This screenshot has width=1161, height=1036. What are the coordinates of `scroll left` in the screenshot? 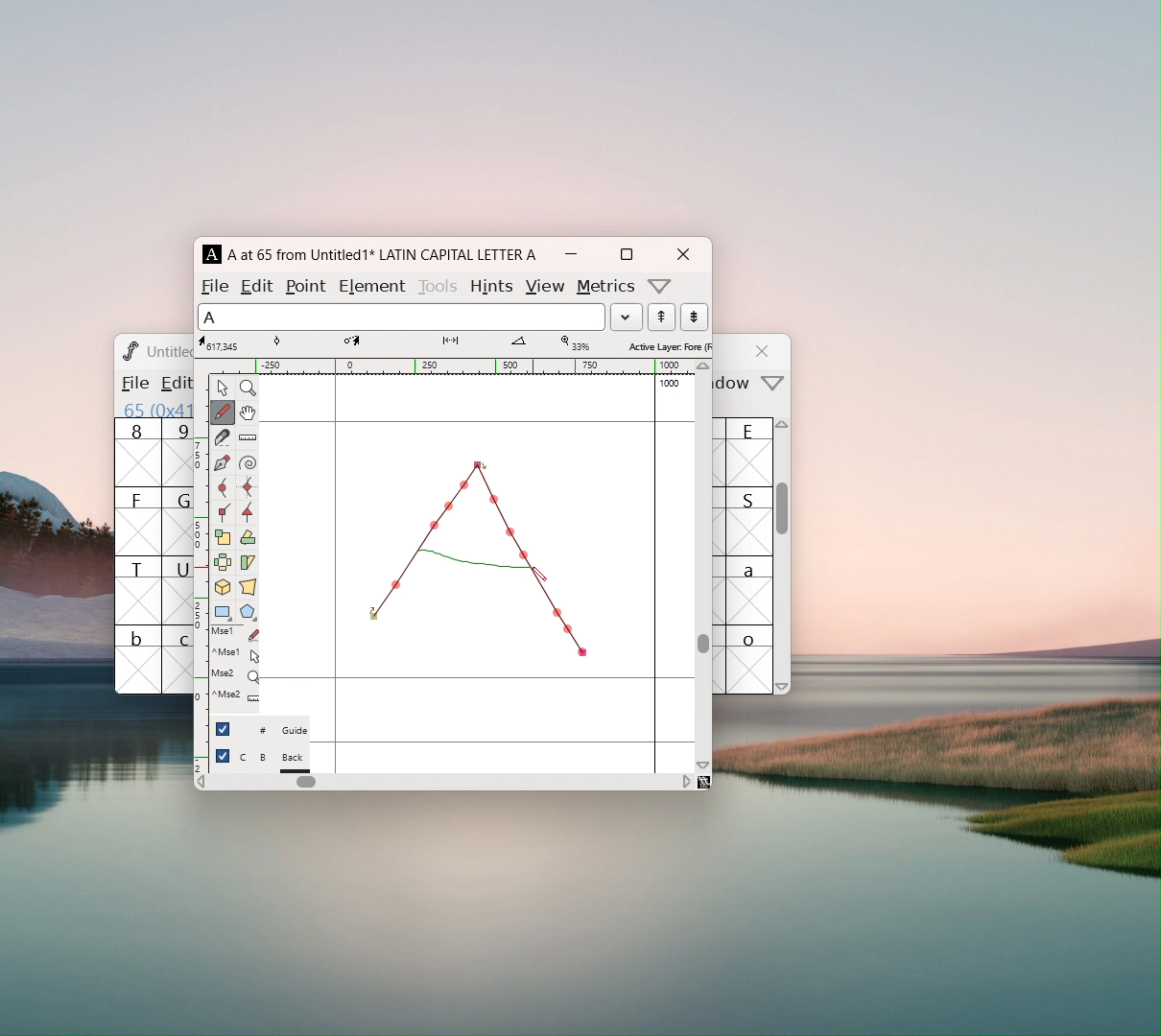 It's located at (201, 784).